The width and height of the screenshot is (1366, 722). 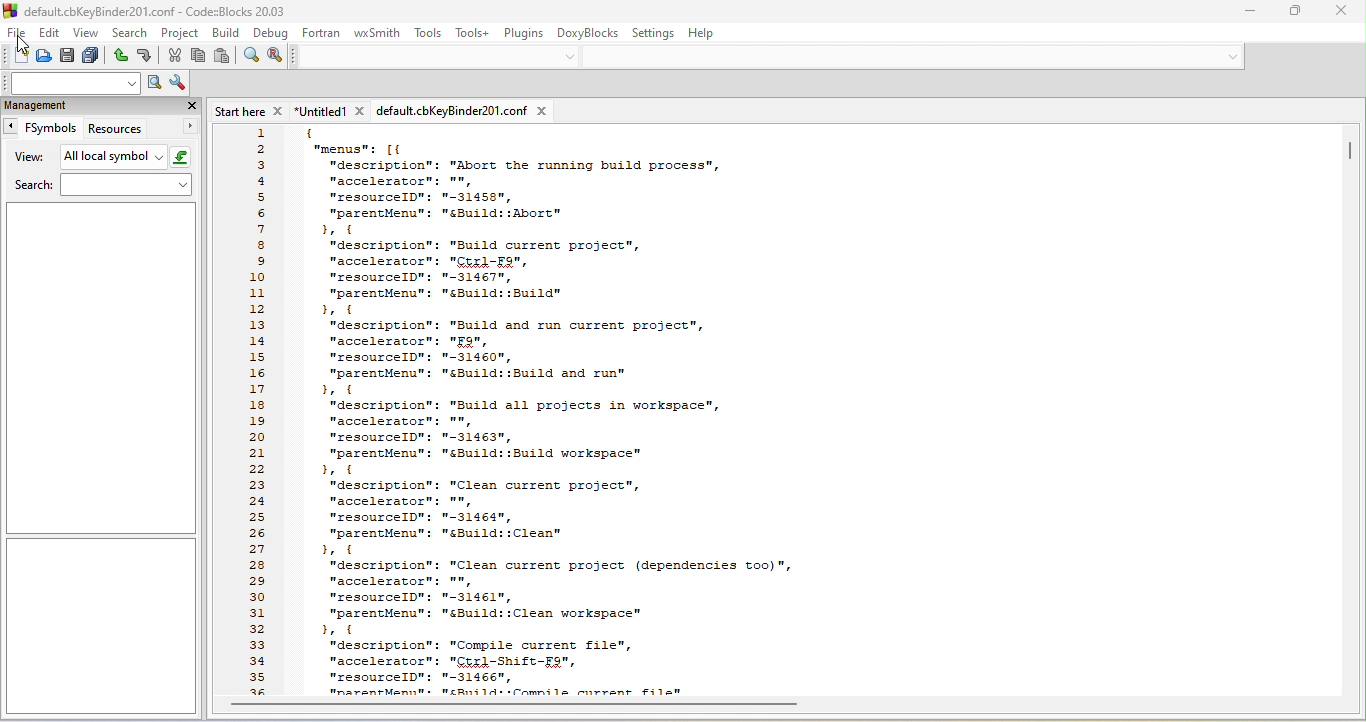 I want to click on all local symbol, so click(x=127, y=157).